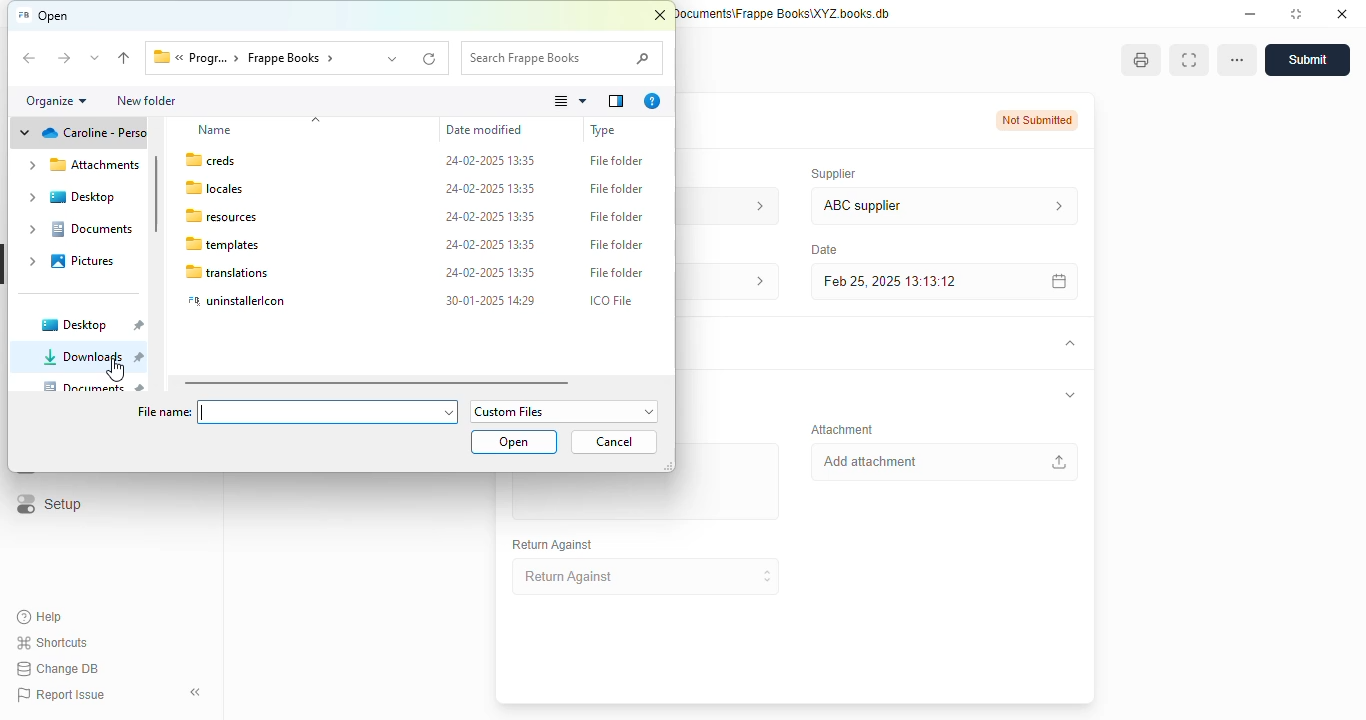 This screenshot has width=1366, height=720. What do you see at coordinates (54, 16) in the screenshot?
I see `open` at bounding box center [54, 16].